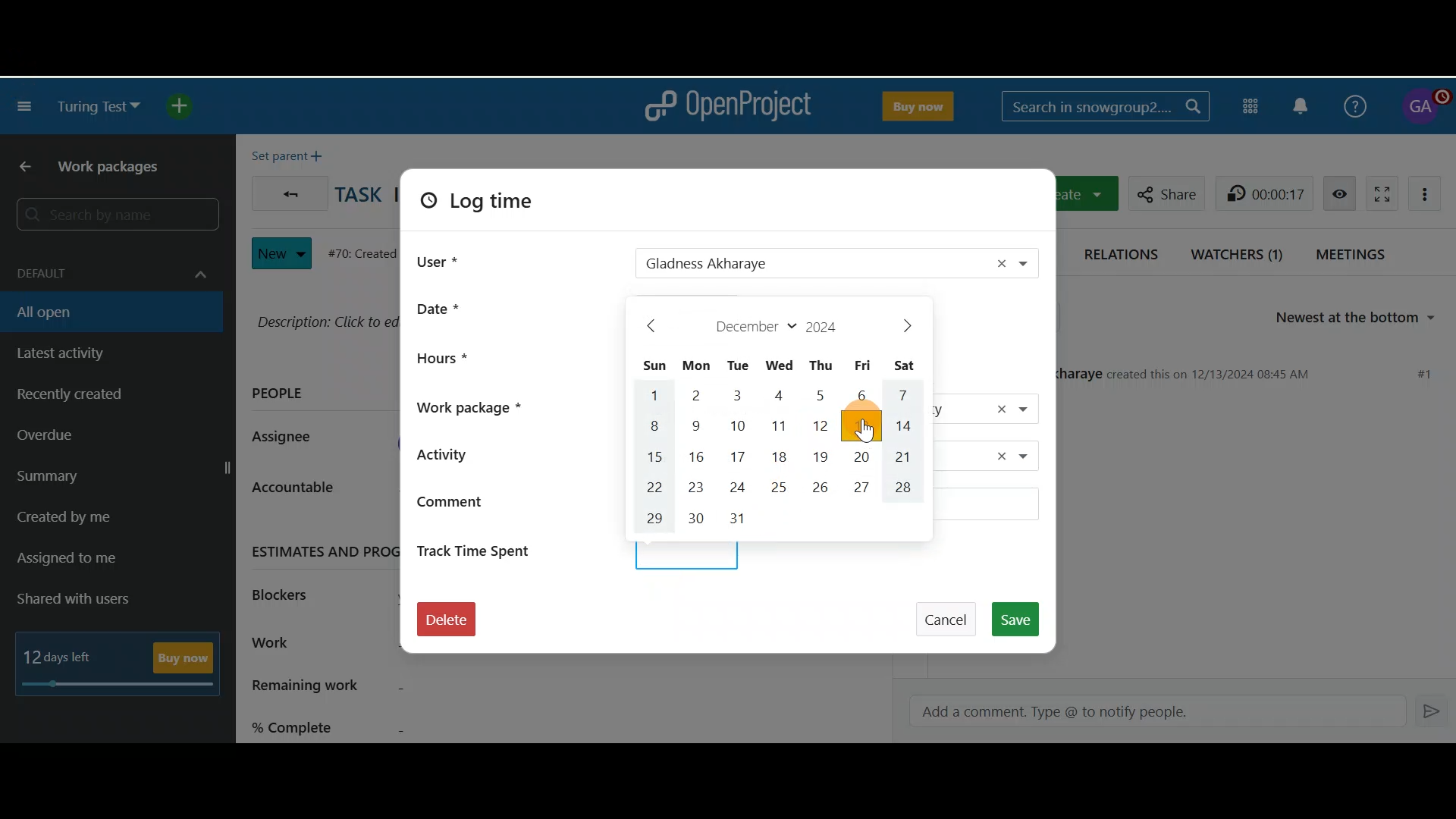  I want to click on Work package, so click(479, 406).